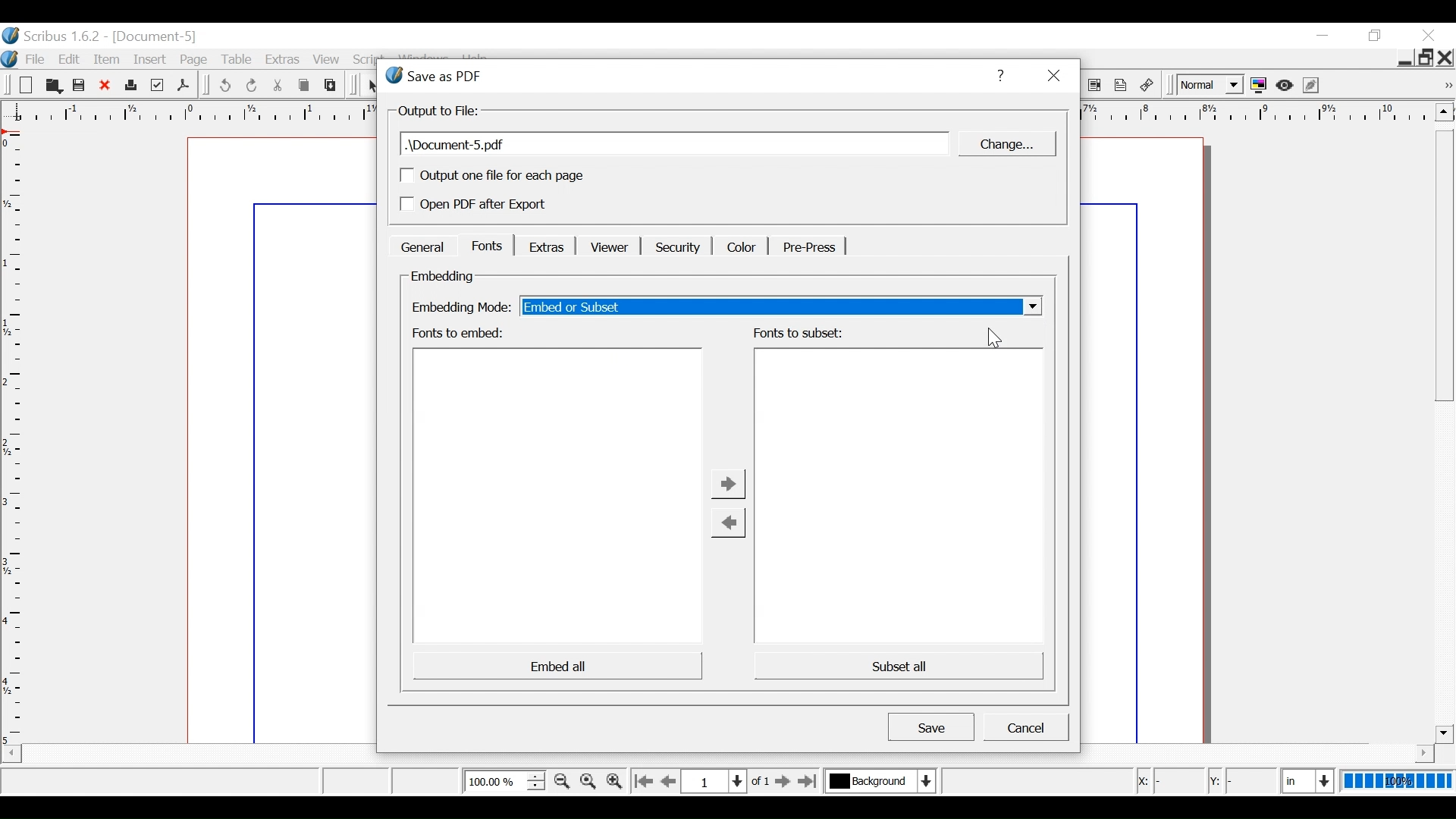 This screenshot has height=819, width=1456. Describe the element at coordinates (130, 86) in the screenshot. I see `Print` at that location.